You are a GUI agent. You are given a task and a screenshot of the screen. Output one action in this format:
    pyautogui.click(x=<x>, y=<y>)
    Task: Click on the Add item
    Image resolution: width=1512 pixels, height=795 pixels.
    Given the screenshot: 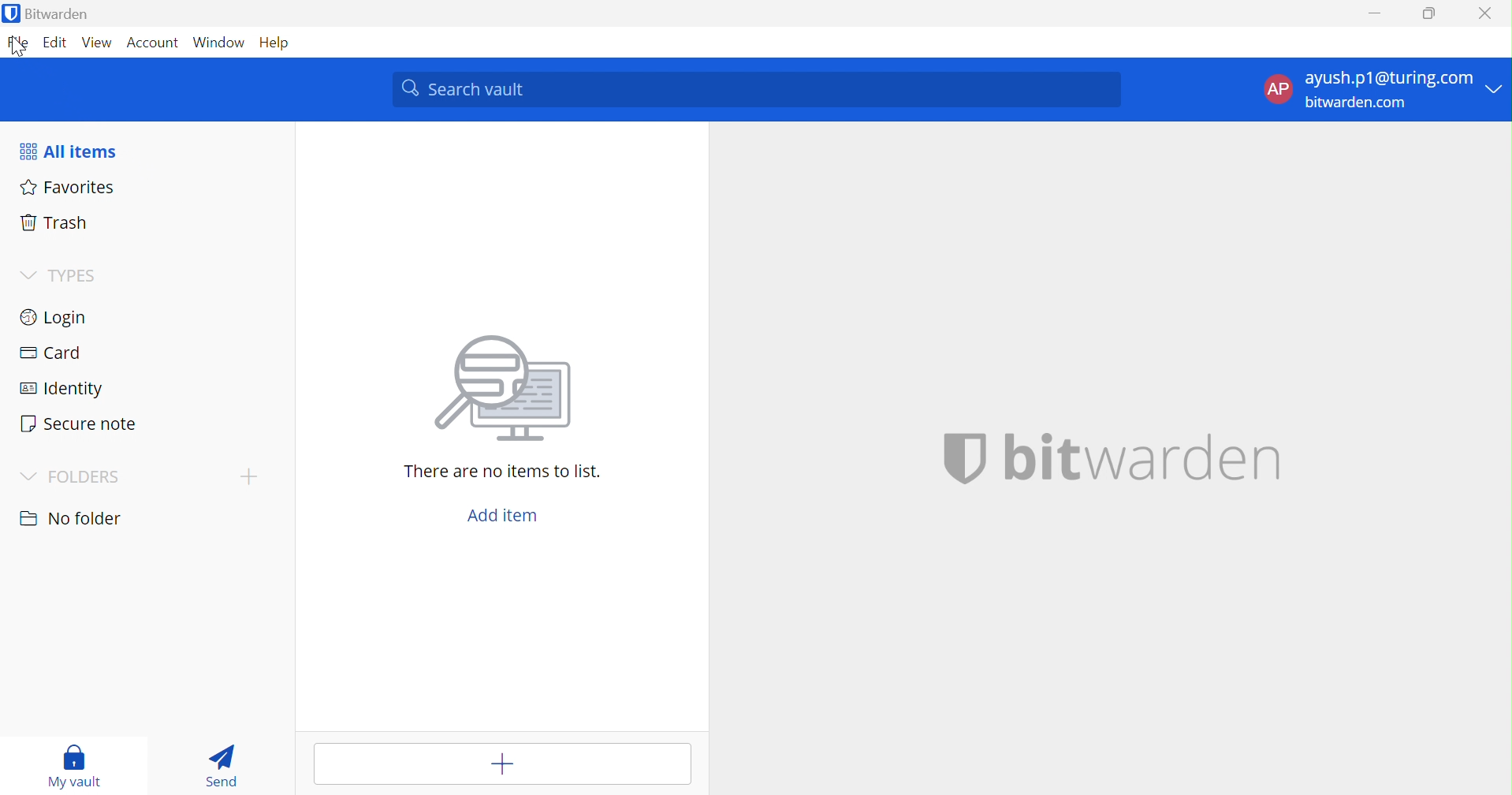 What is the action you would take?
    pyautogui.click(x=497, y=764)
    